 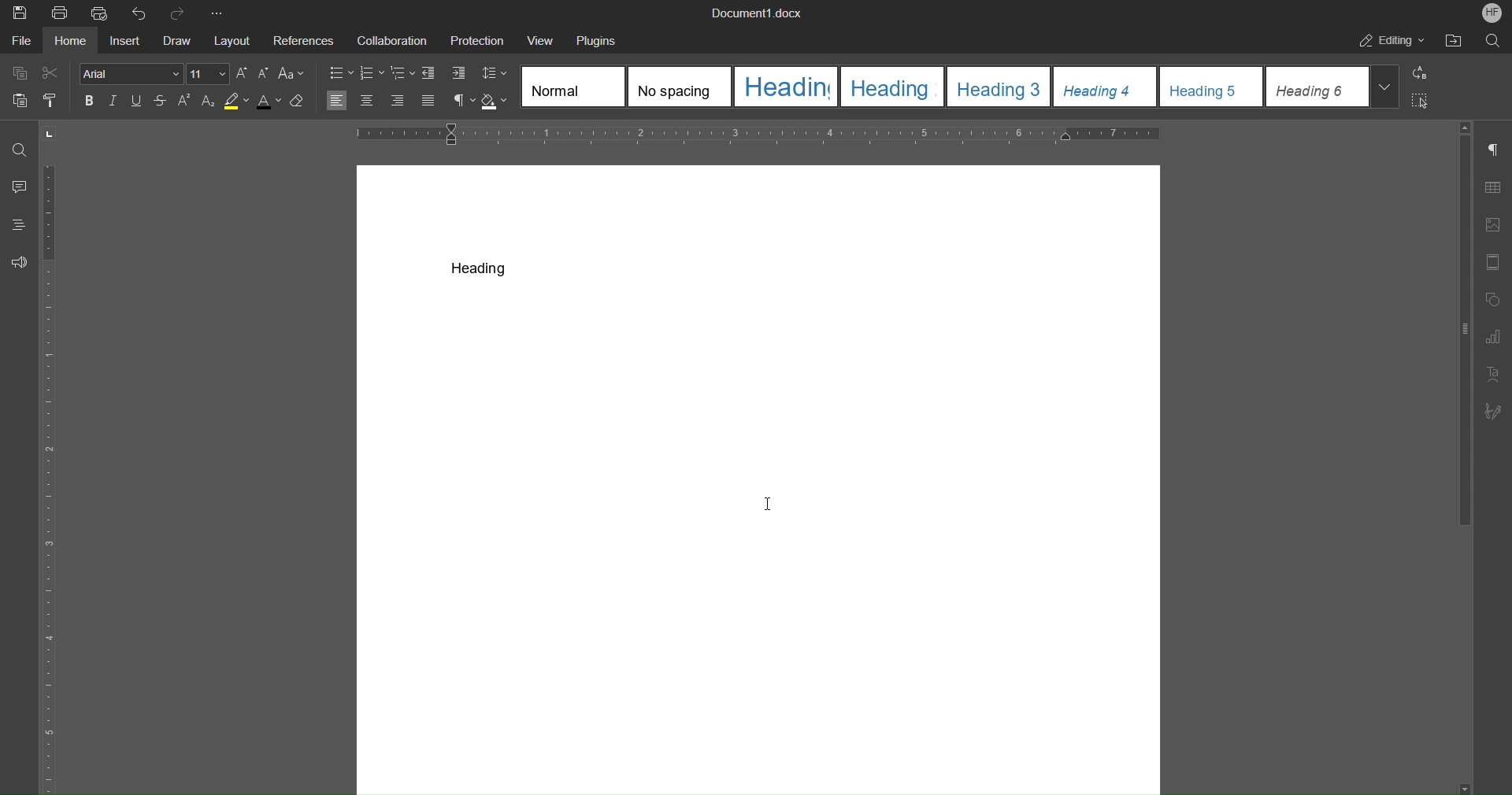 I want to click on Copy Style, so click(x=55, y=99).